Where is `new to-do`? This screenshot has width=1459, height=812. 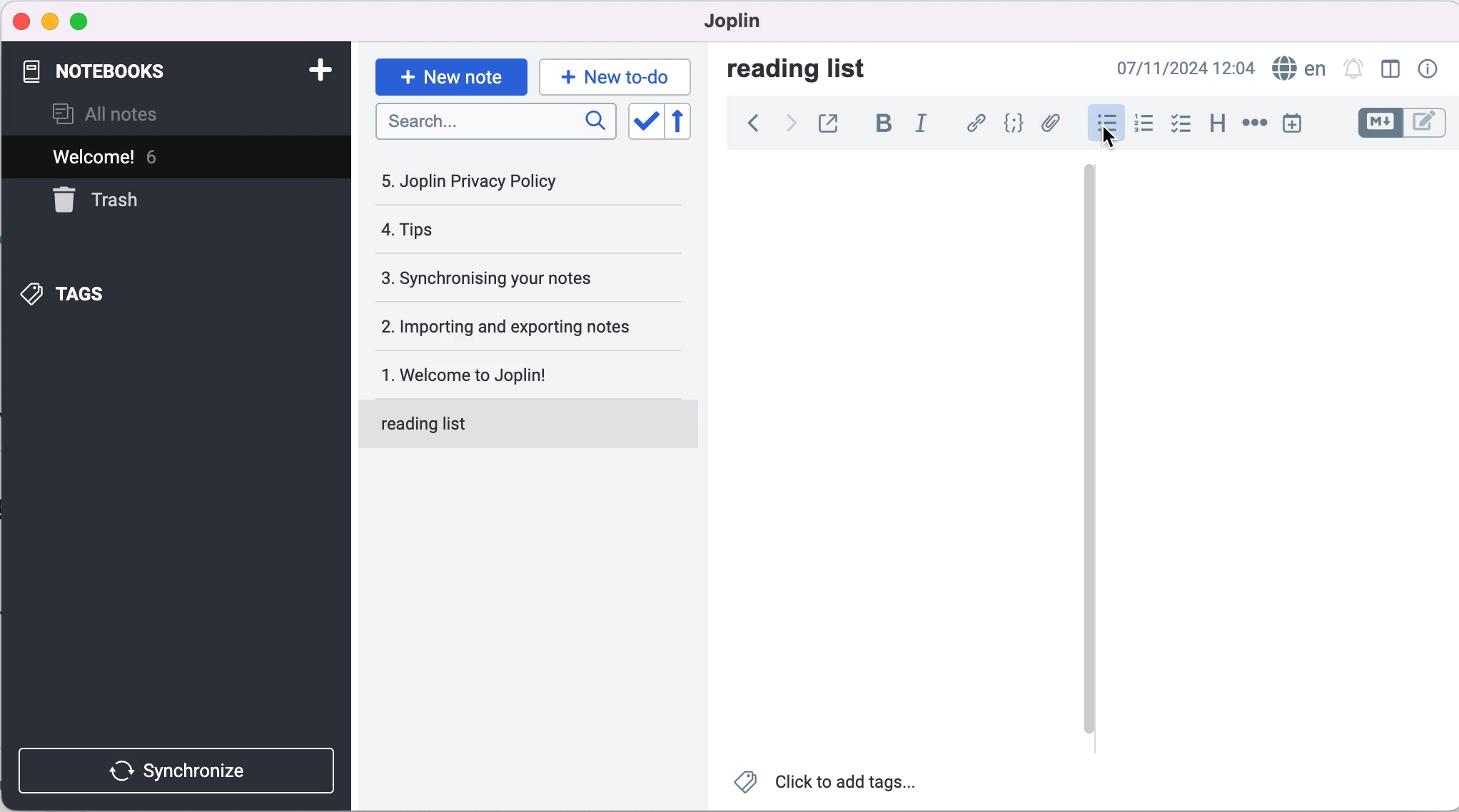 new to-do is located at coordinates (617, 74).